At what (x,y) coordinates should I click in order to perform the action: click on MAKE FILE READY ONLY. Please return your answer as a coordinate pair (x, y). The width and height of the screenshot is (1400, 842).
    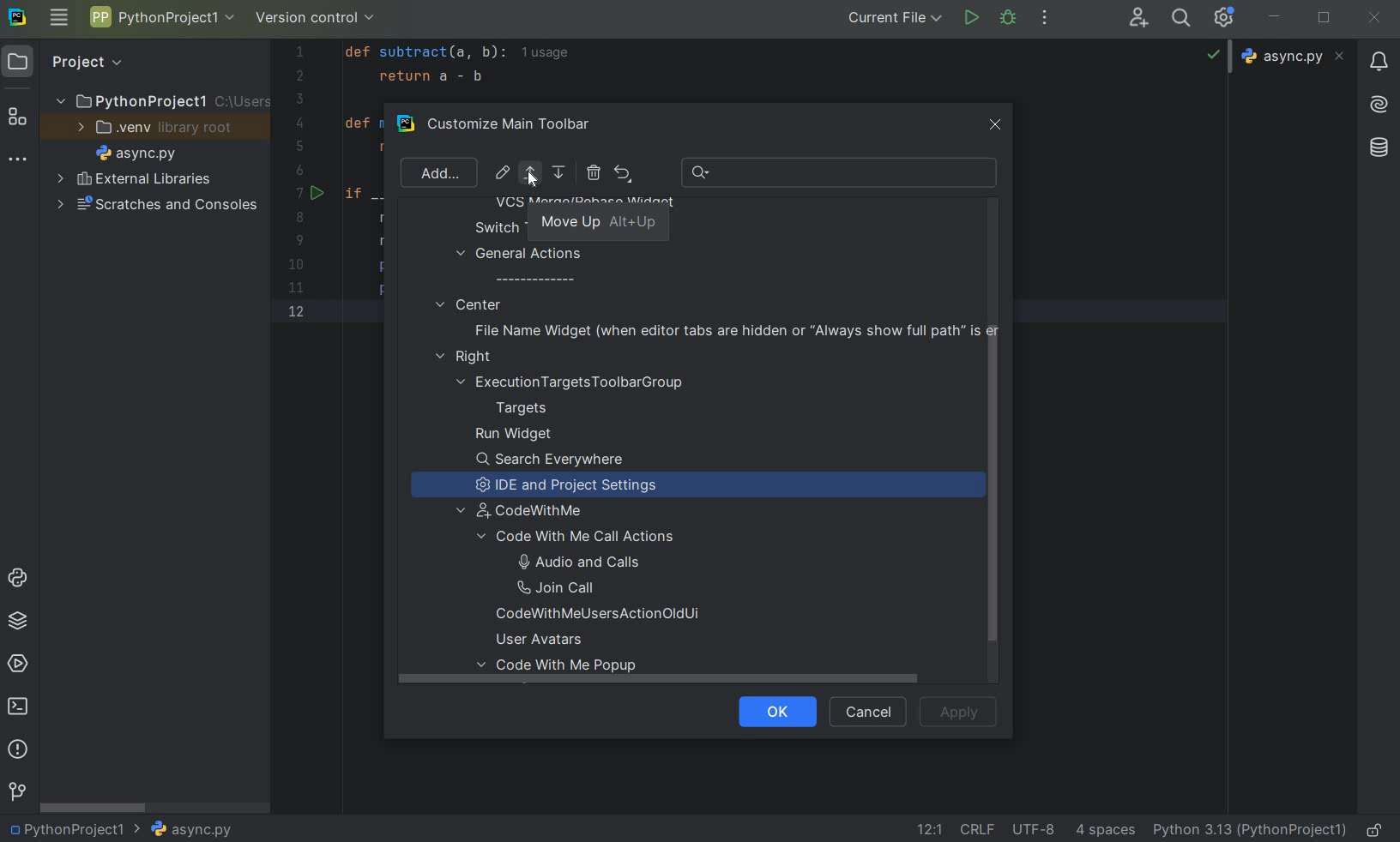
    Looking at the image, I should click on (1378, 828).